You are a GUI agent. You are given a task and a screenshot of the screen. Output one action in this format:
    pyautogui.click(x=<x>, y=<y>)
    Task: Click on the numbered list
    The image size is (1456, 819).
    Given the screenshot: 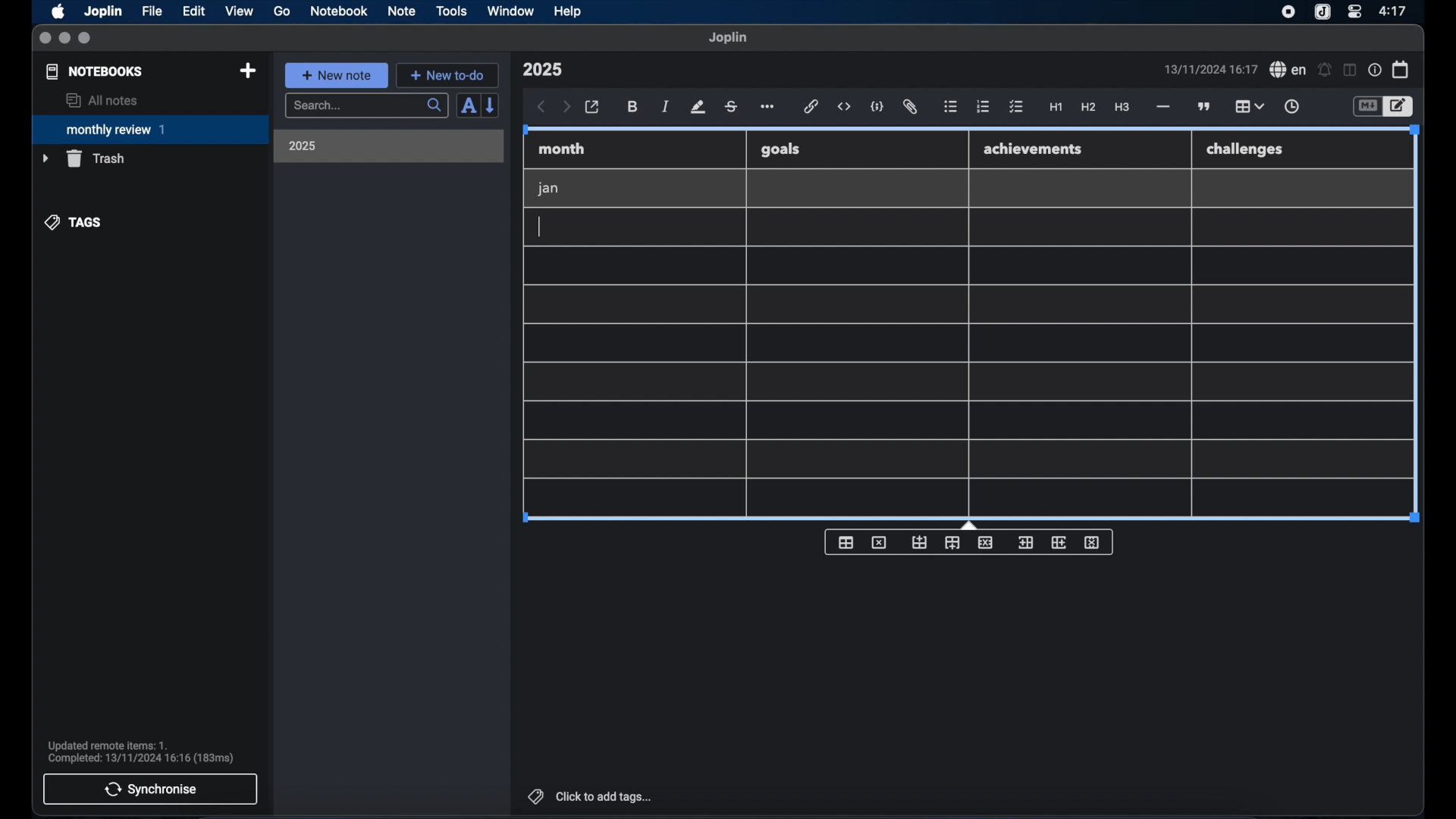 What is the action you would take?
    pyautogui.click(x=983, y=106)
    